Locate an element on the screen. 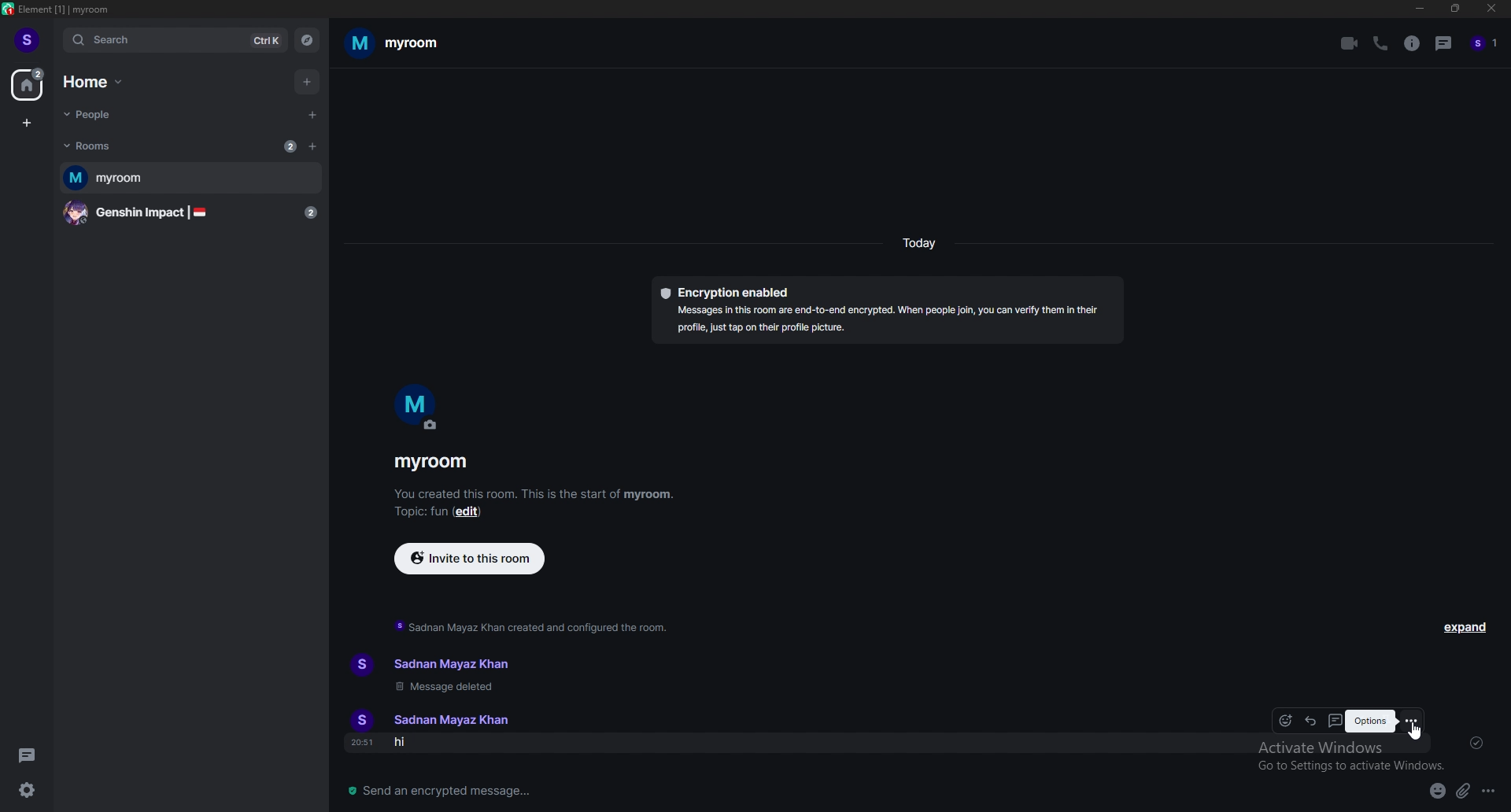 This screenshot has width=1511, height=812. new message count is located at coordinates (290, 146).